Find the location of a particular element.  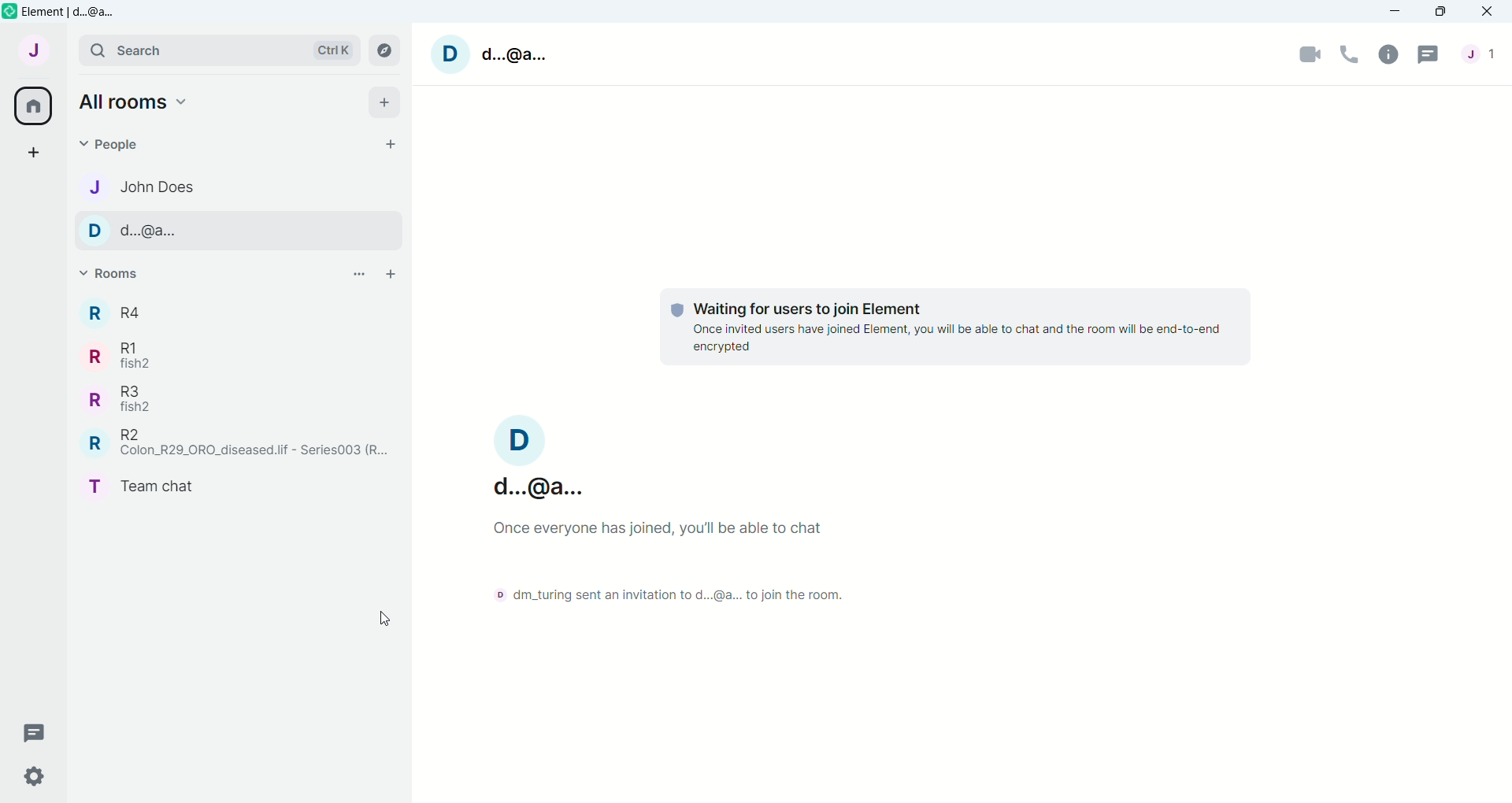

Minimize is located at coordinates (1393, 11).